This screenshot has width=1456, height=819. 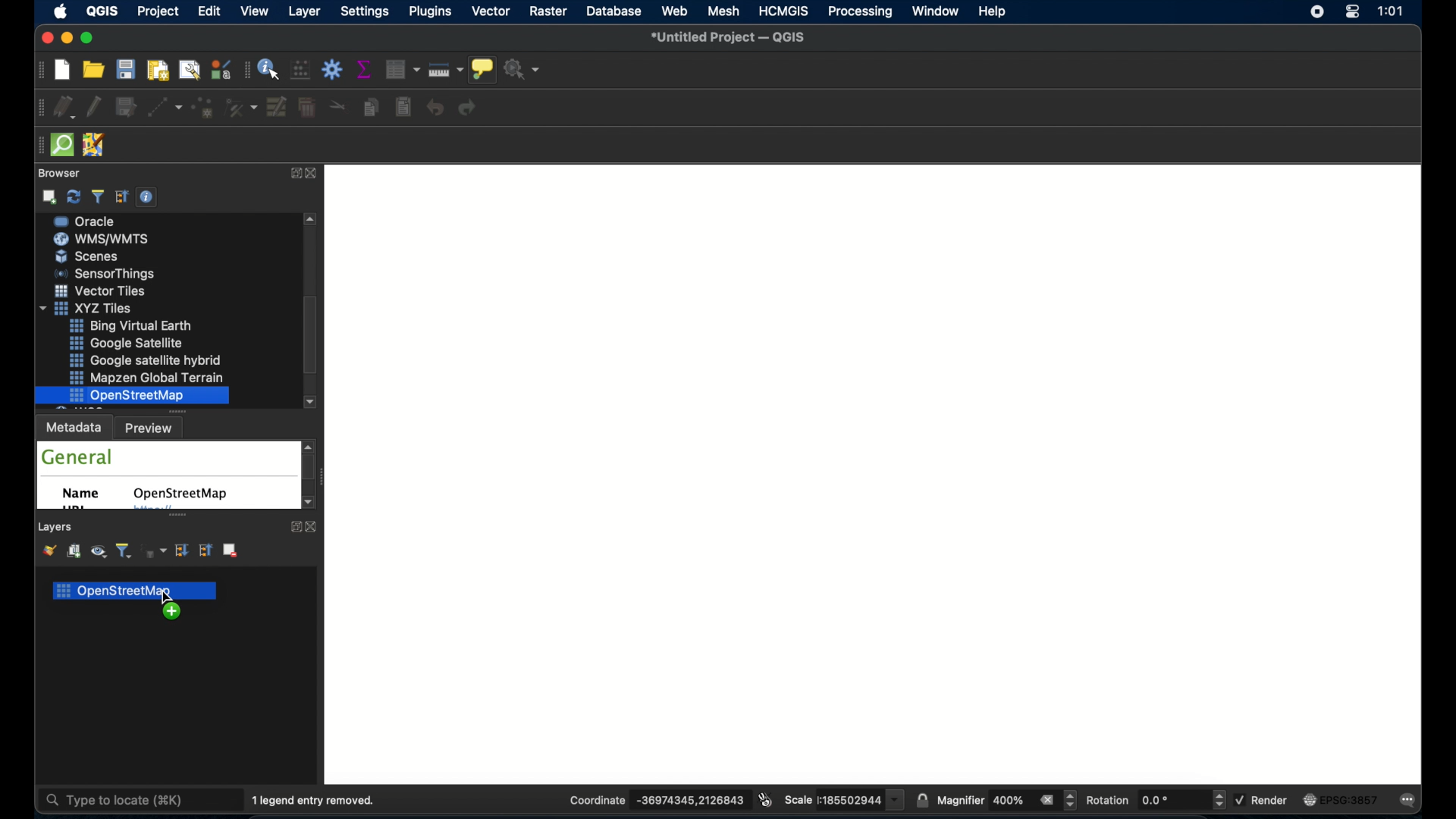 What do you see at coordinates (152, 429) in the screenshot?
I see `preview` at bounding box center [152, 429].